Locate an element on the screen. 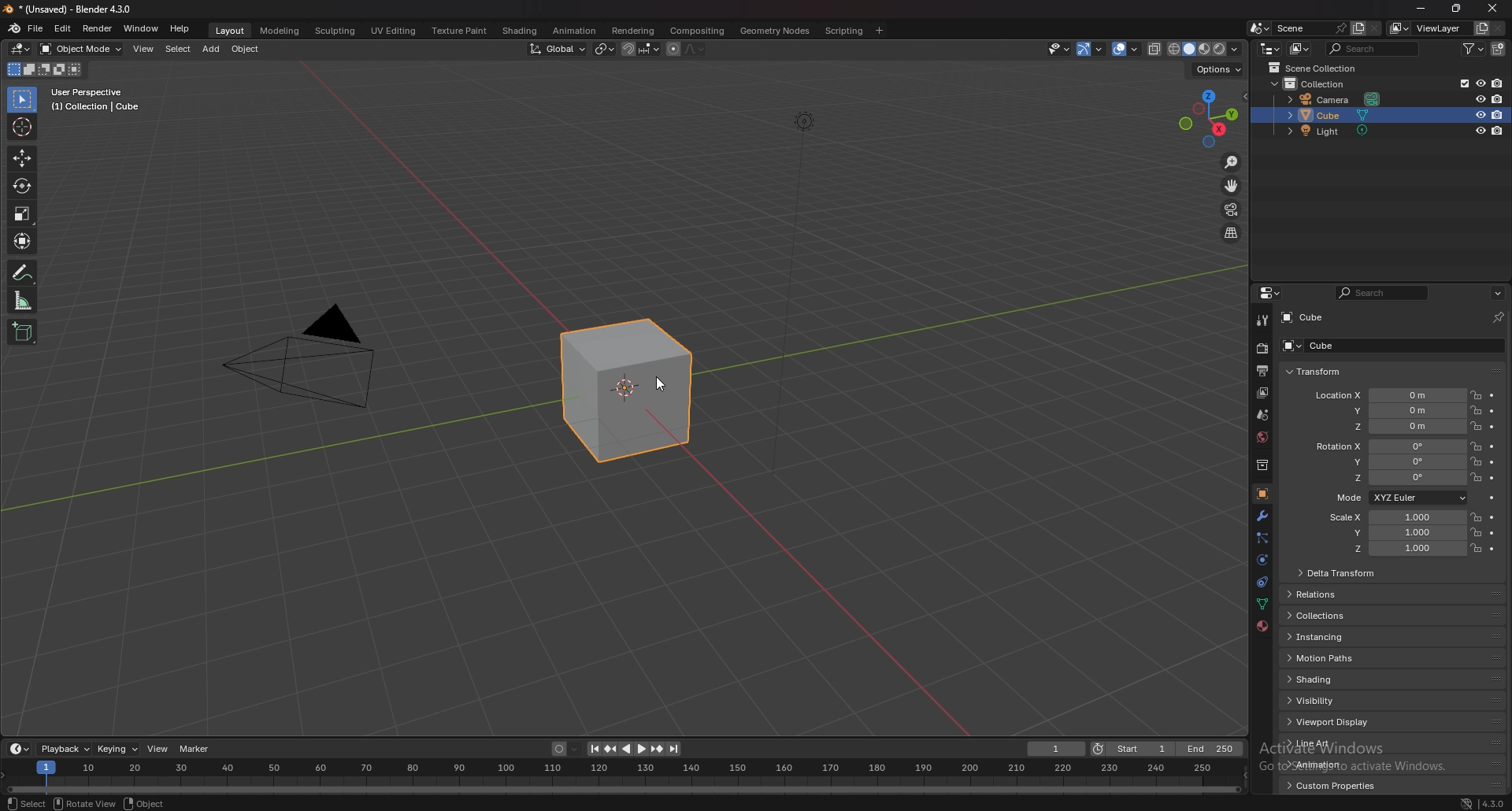  geomtry nodes is located at coordinates (776, 31).